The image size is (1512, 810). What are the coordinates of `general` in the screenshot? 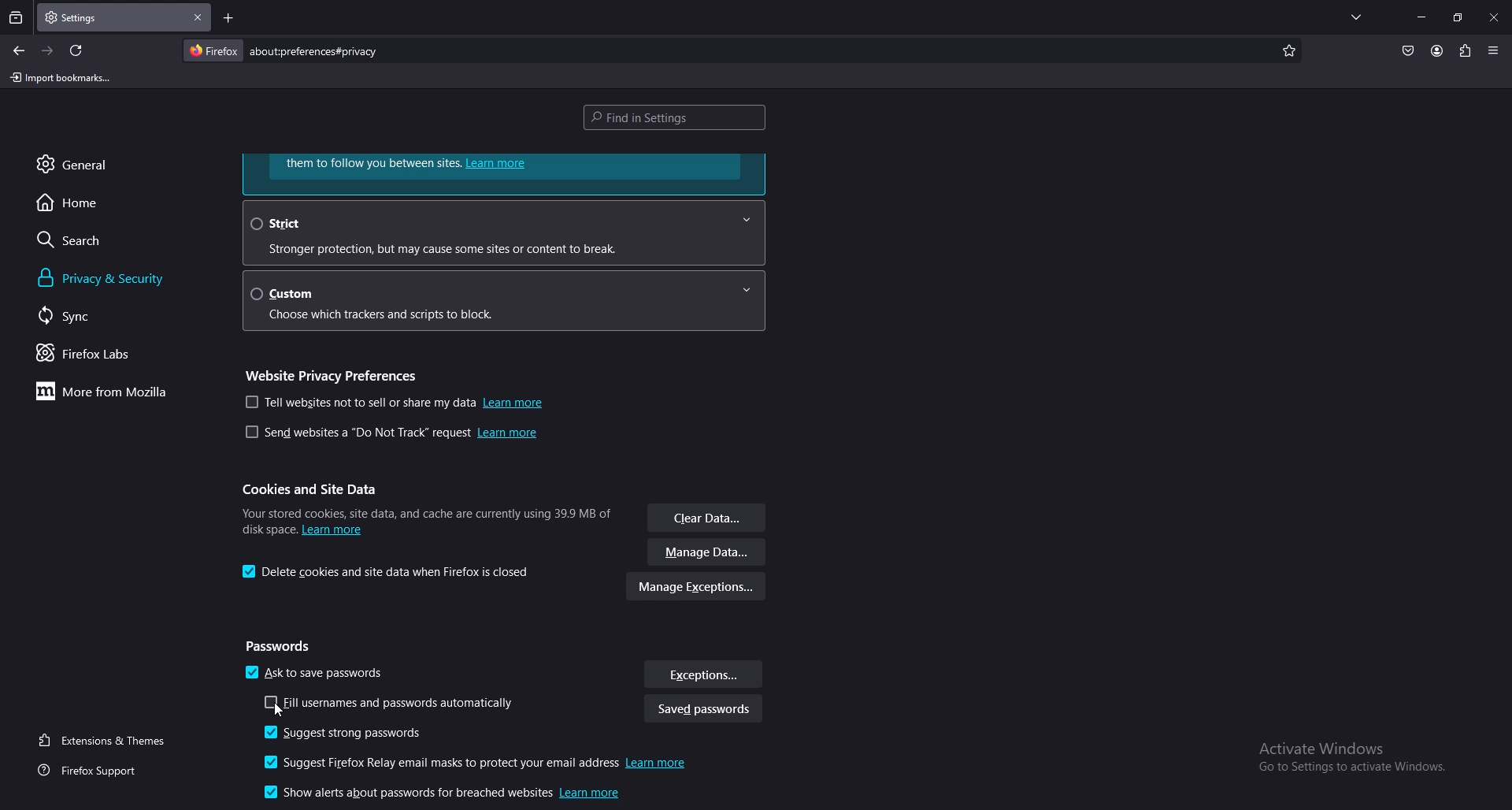 It's located at (91, 164).